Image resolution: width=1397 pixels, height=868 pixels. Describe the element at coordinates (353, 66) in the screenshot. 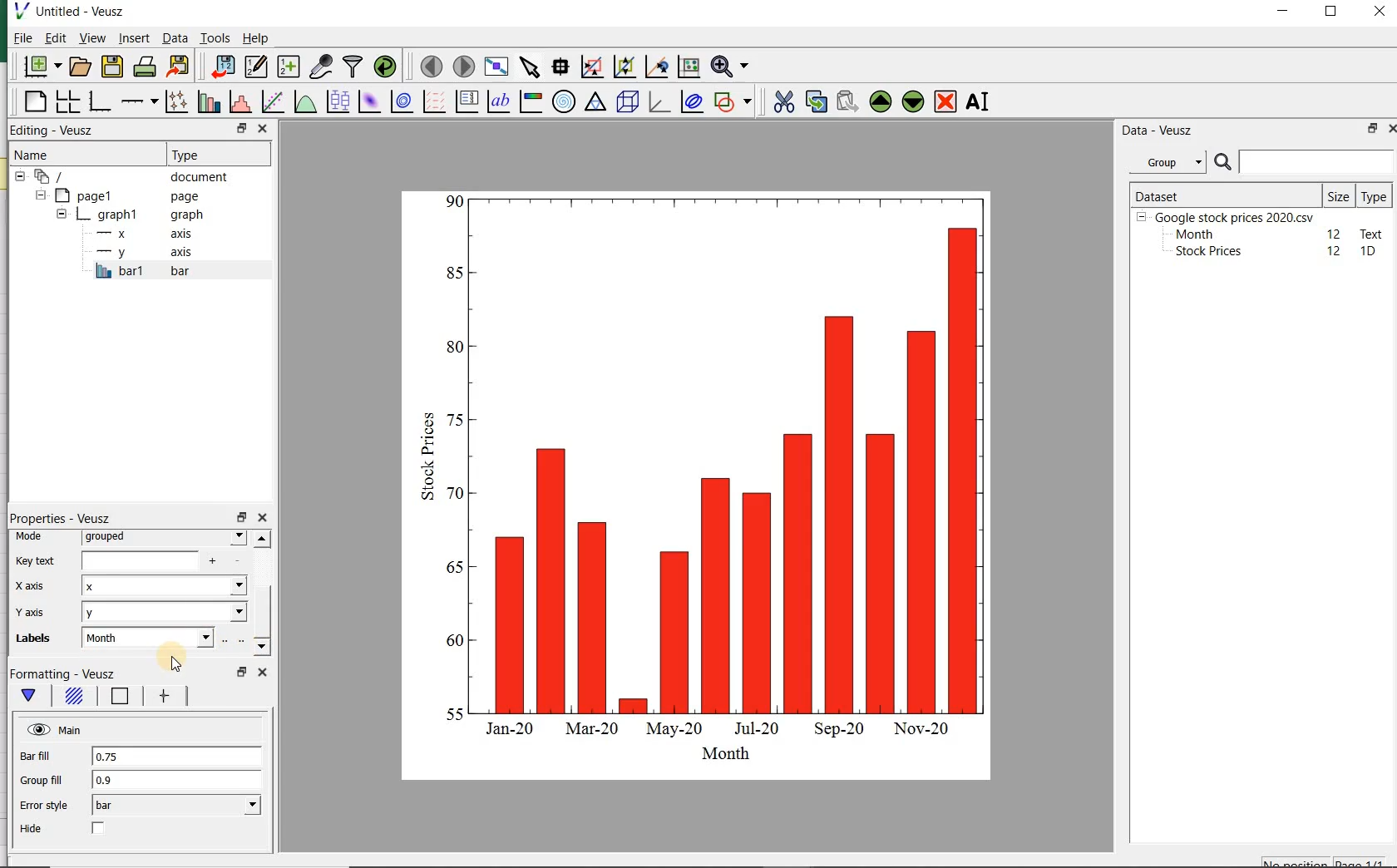

I see `filter data` at that location.